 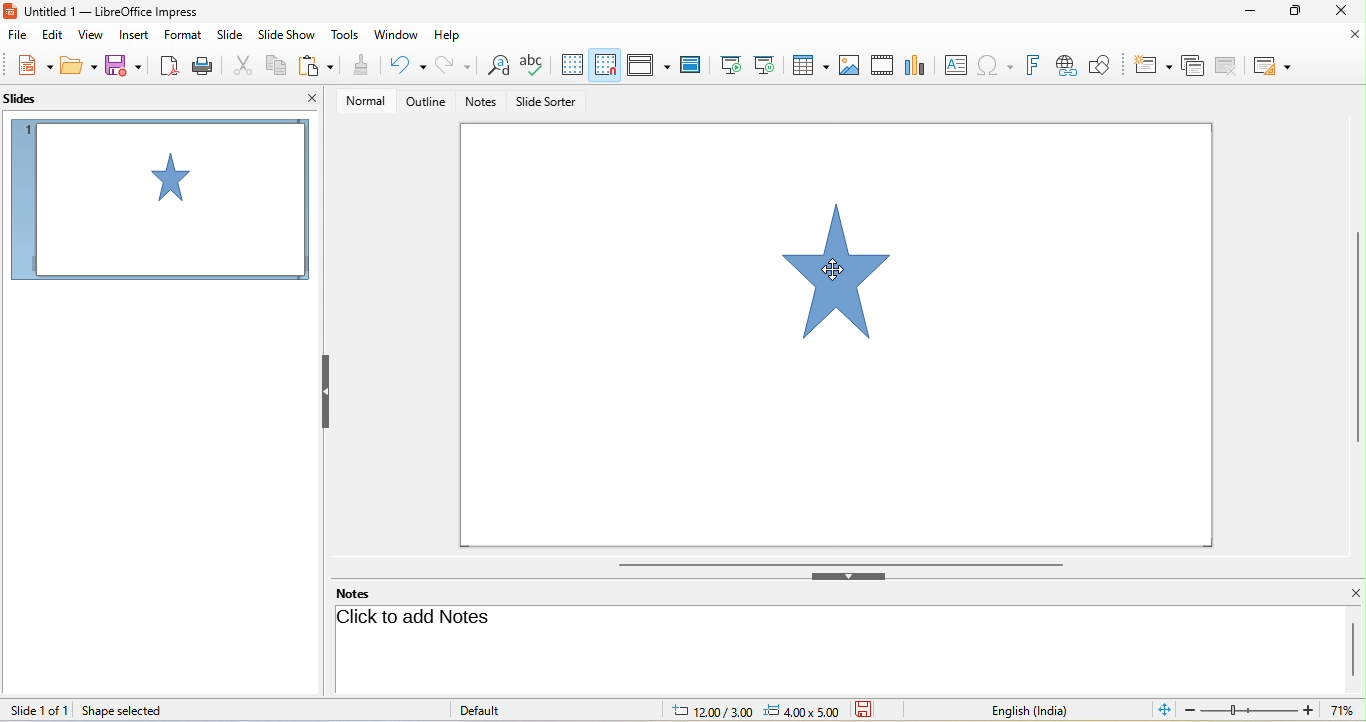 What do you see at coordinates (882, 64) in the screenshot?
I see `video/audio` at bounding box center [882, 64].